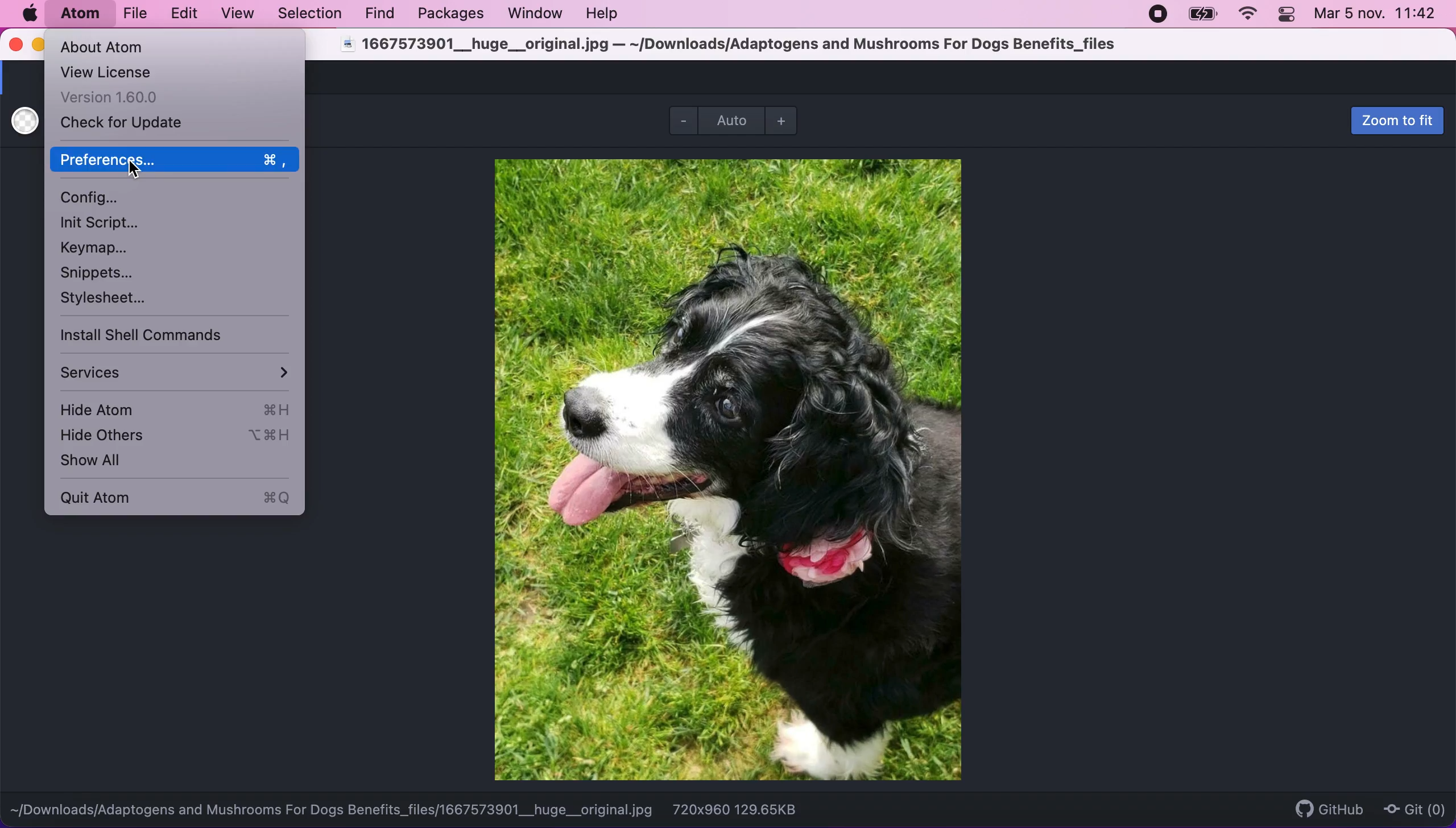 The height and width of the screenshot is (828, 1456). What do you see at coordinates (26, 121) in the screenshot?
I see `use white transparent backgrouns` at bounding box center [26, 121].